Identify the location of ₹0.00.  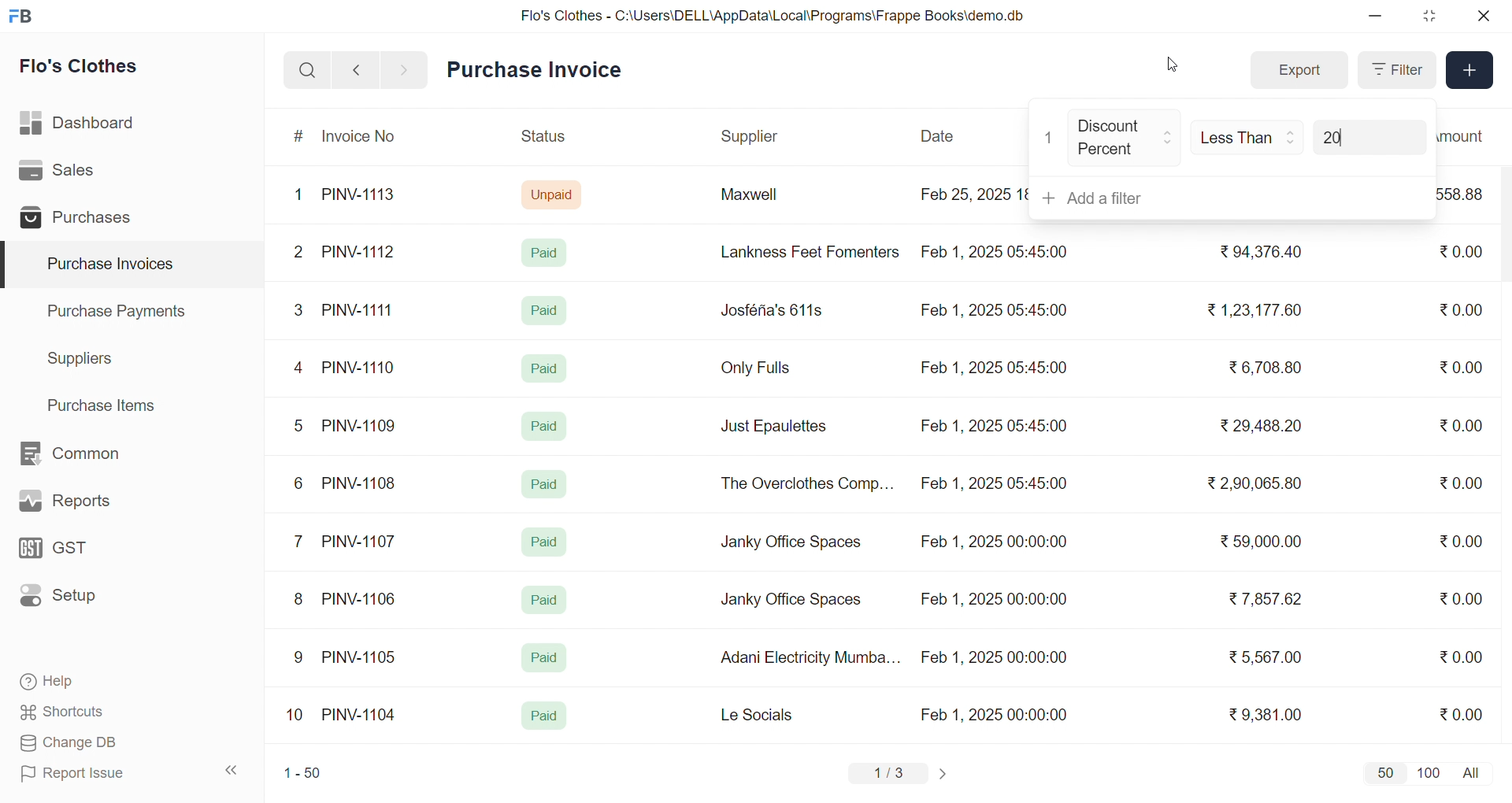
(1461, 598).